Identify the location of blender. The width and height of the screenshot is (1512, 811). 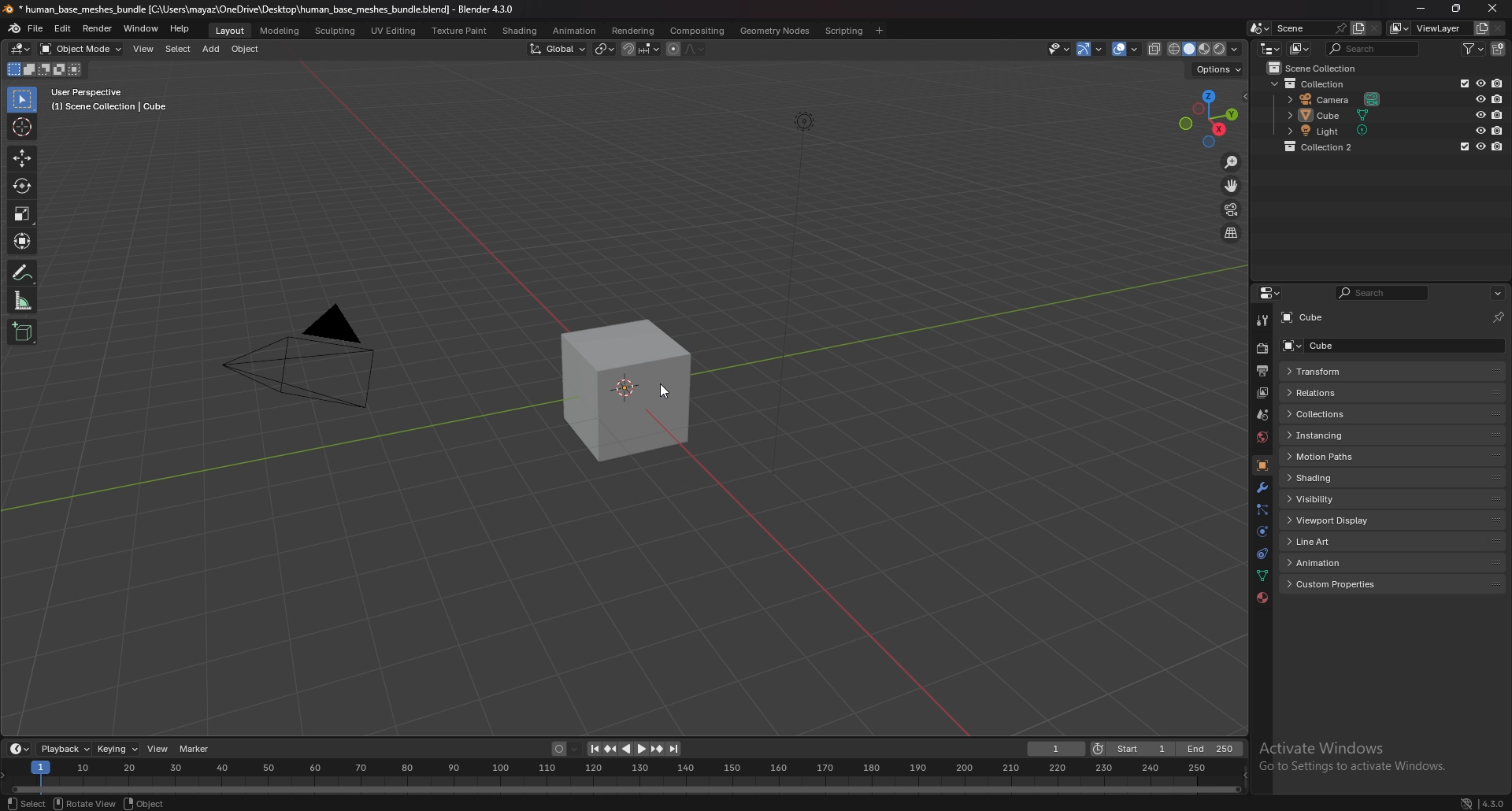
(16, 28).